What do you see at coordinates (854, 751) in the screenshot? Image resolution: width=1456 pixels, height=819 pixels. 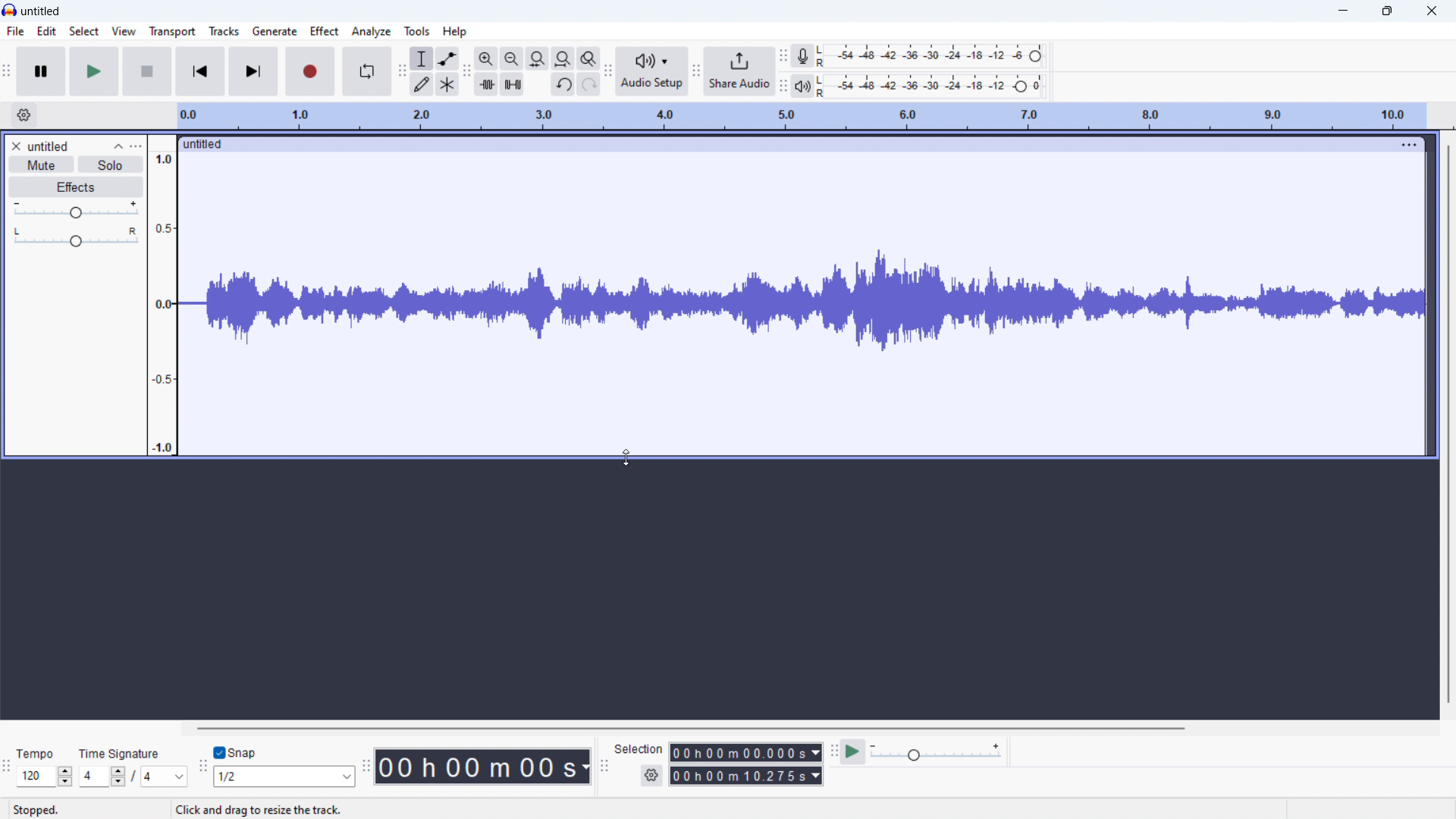 I see `play at speed` at bounding box center [854, 751].